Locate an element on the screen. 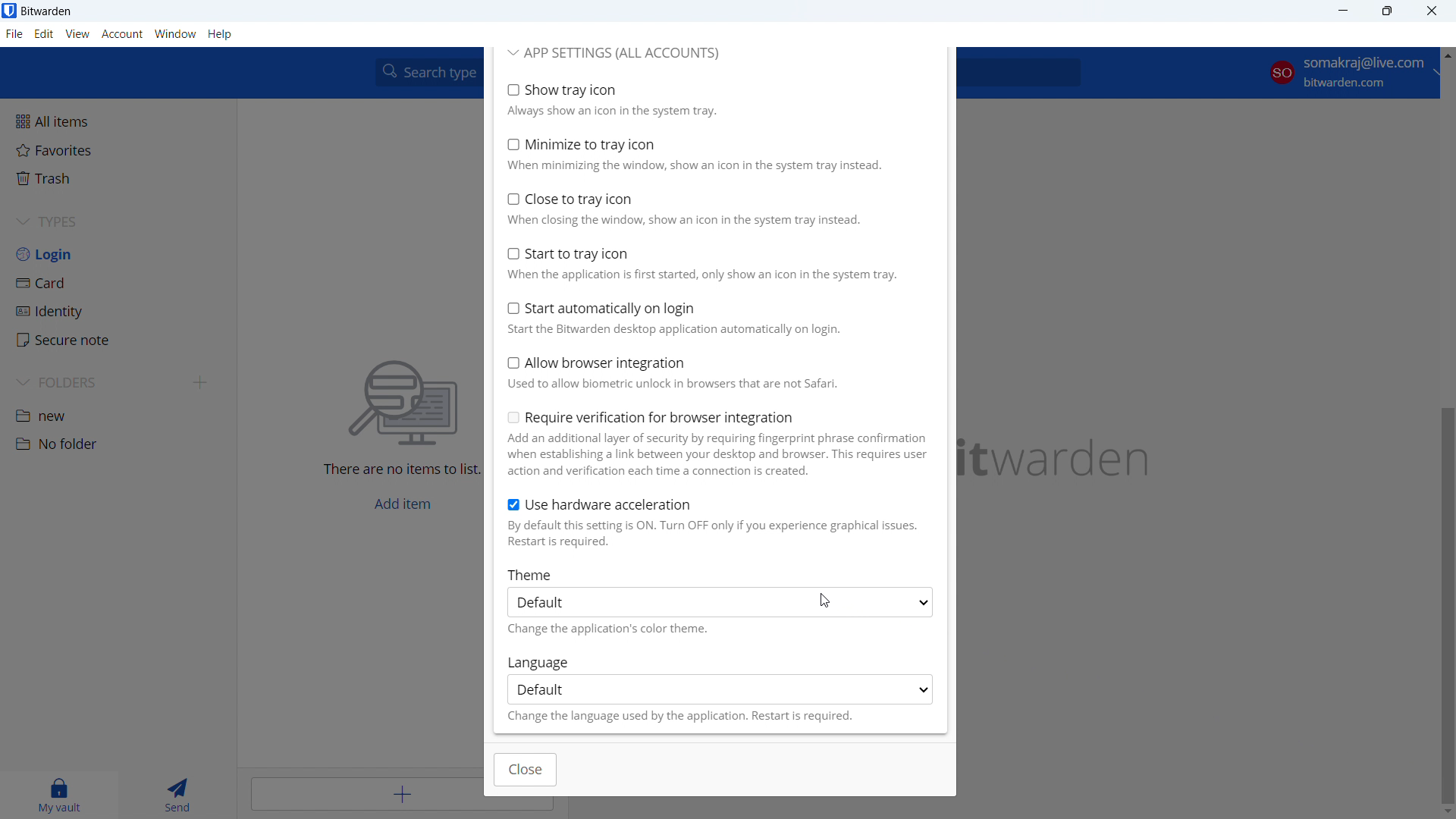  folder 2 is located at coordinates (117, 444).